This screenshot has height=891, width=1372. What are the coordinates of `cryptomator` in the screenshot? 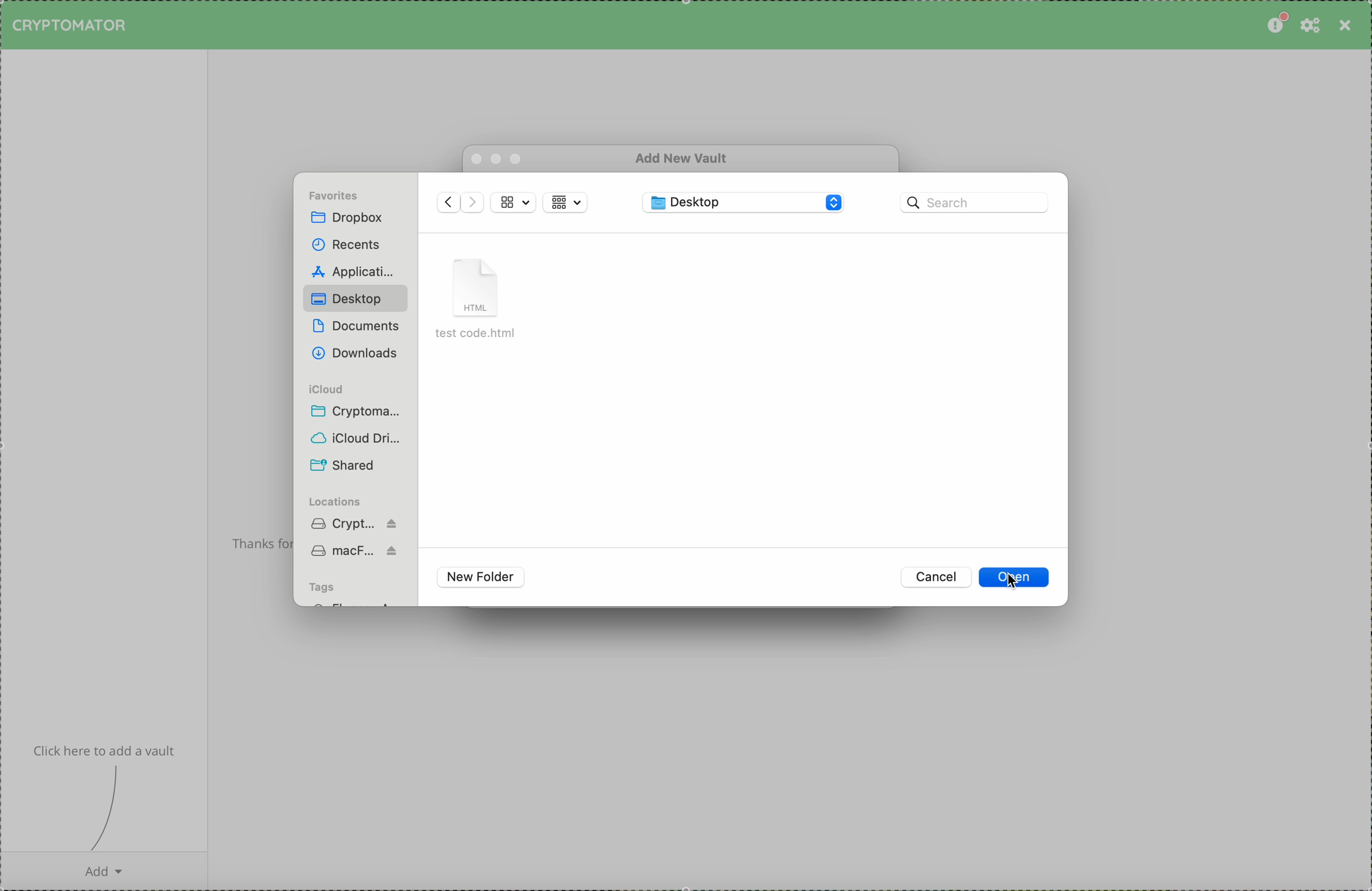 It's located at (355, 528).